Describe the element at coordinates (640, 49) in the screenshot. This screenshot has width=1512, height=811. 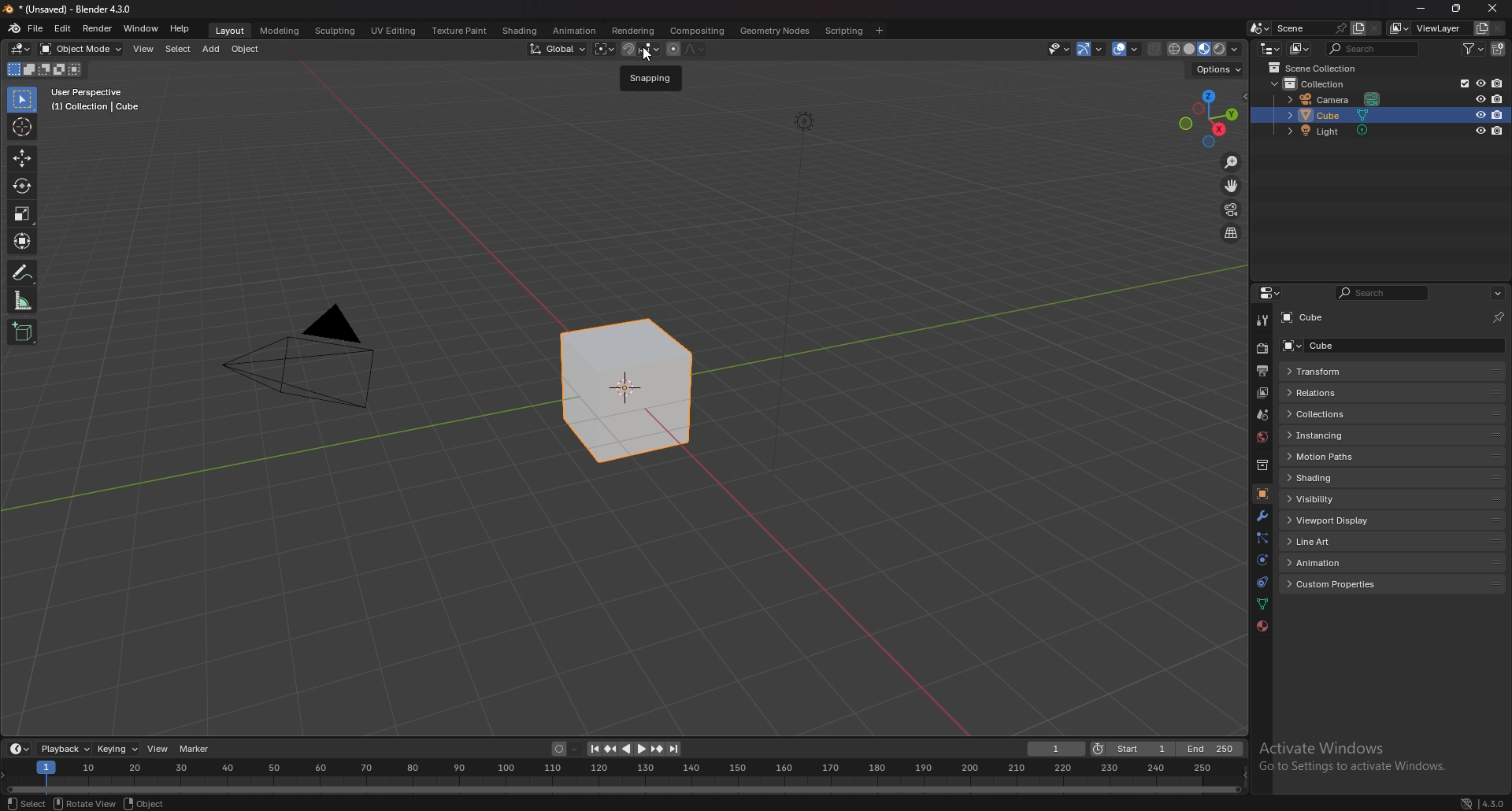
I see `snapping` at that location.